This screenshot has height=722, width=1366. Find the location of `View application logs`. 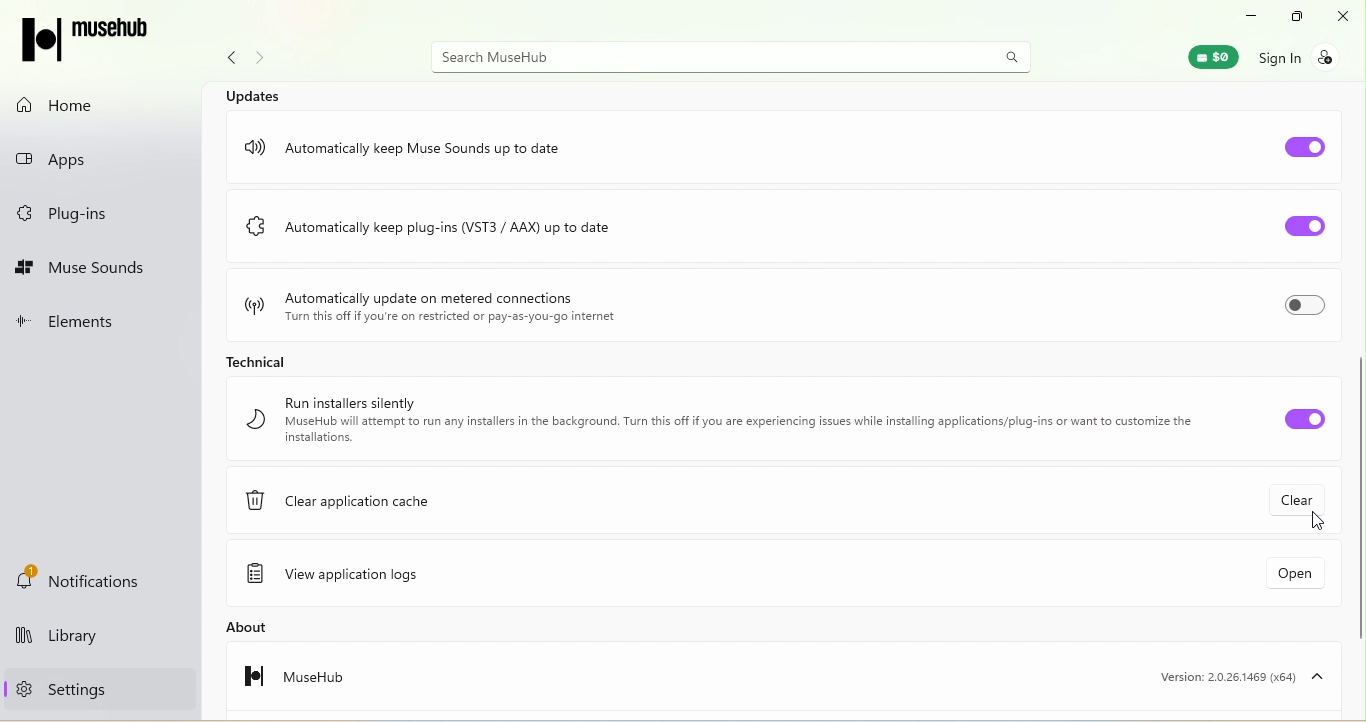

View application logs is located at coordinates (347, 576).